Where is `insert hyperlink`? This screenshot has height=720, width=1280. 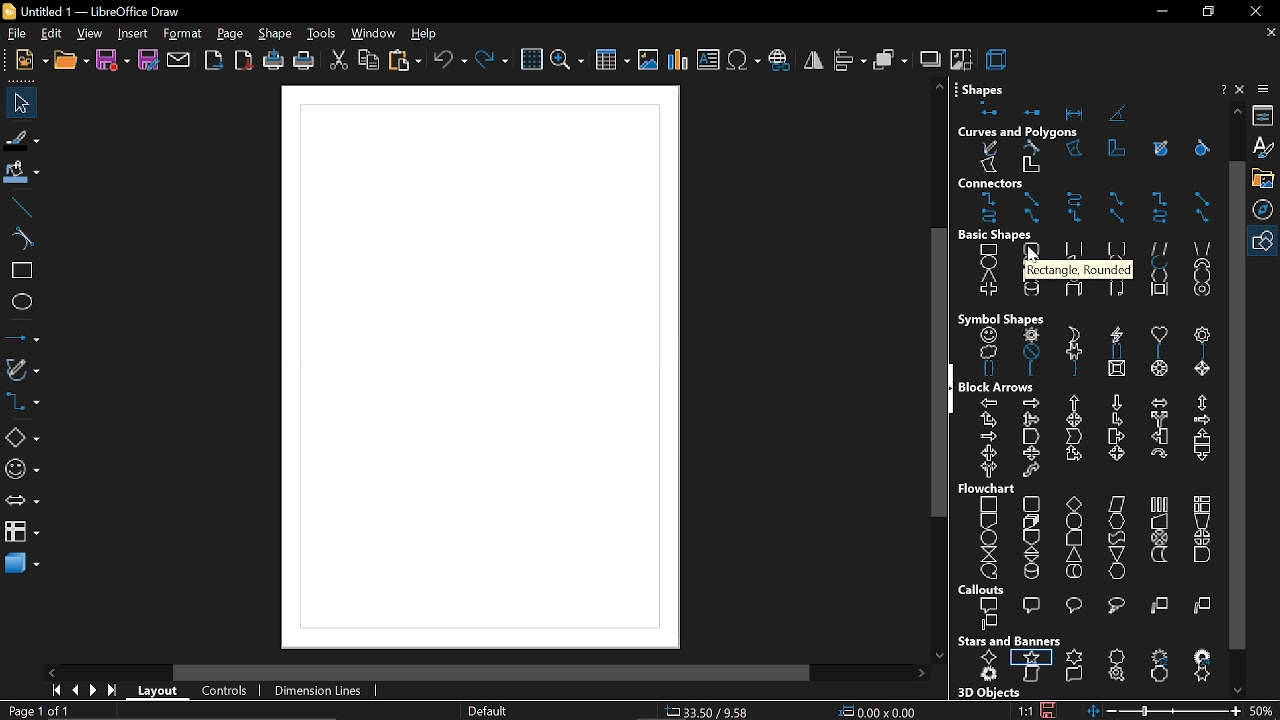 insert hyperlink is located at coordinates (780, 61).